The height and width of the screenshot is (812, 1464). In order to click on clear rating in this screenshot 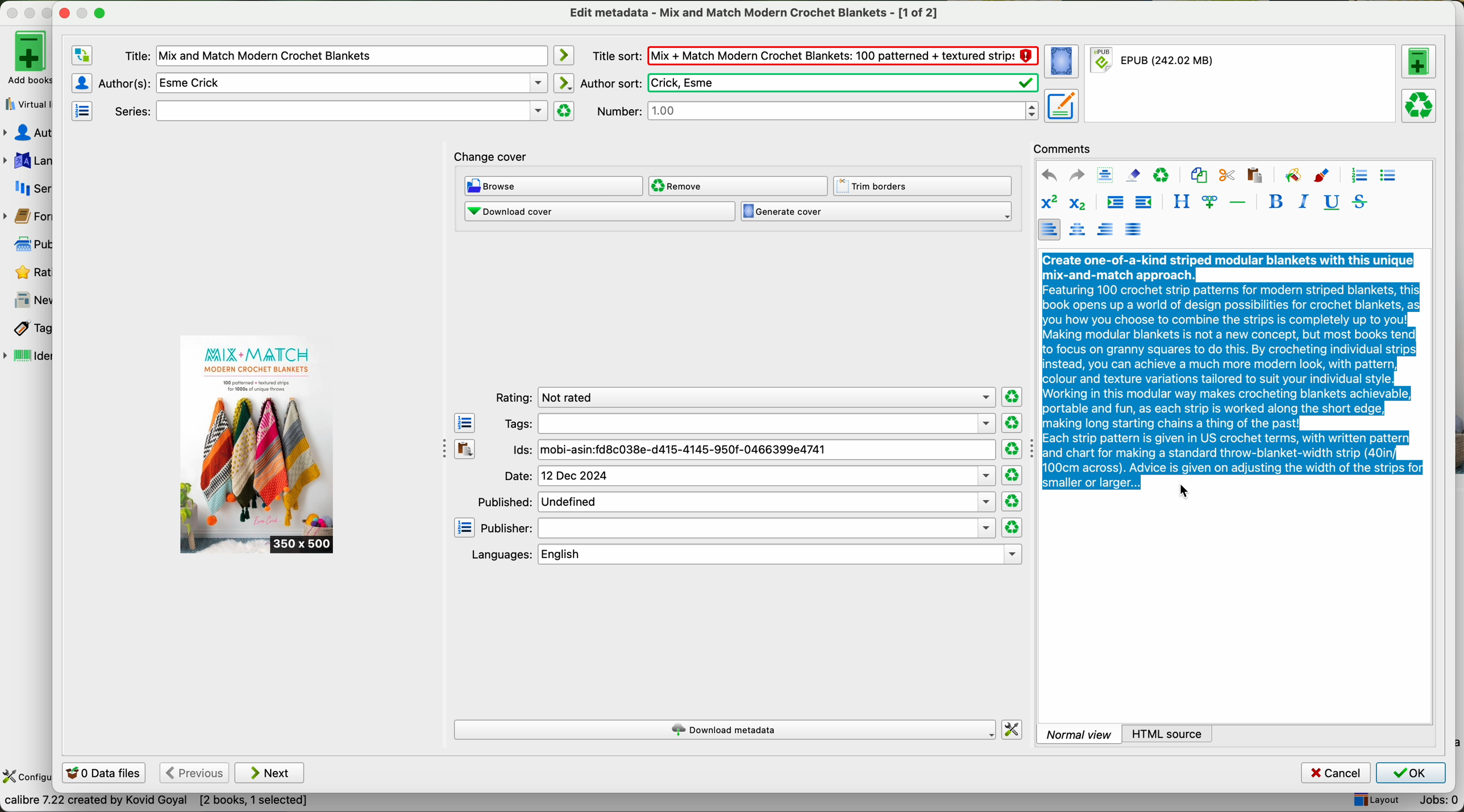, I will do `click(1012, 476)`.